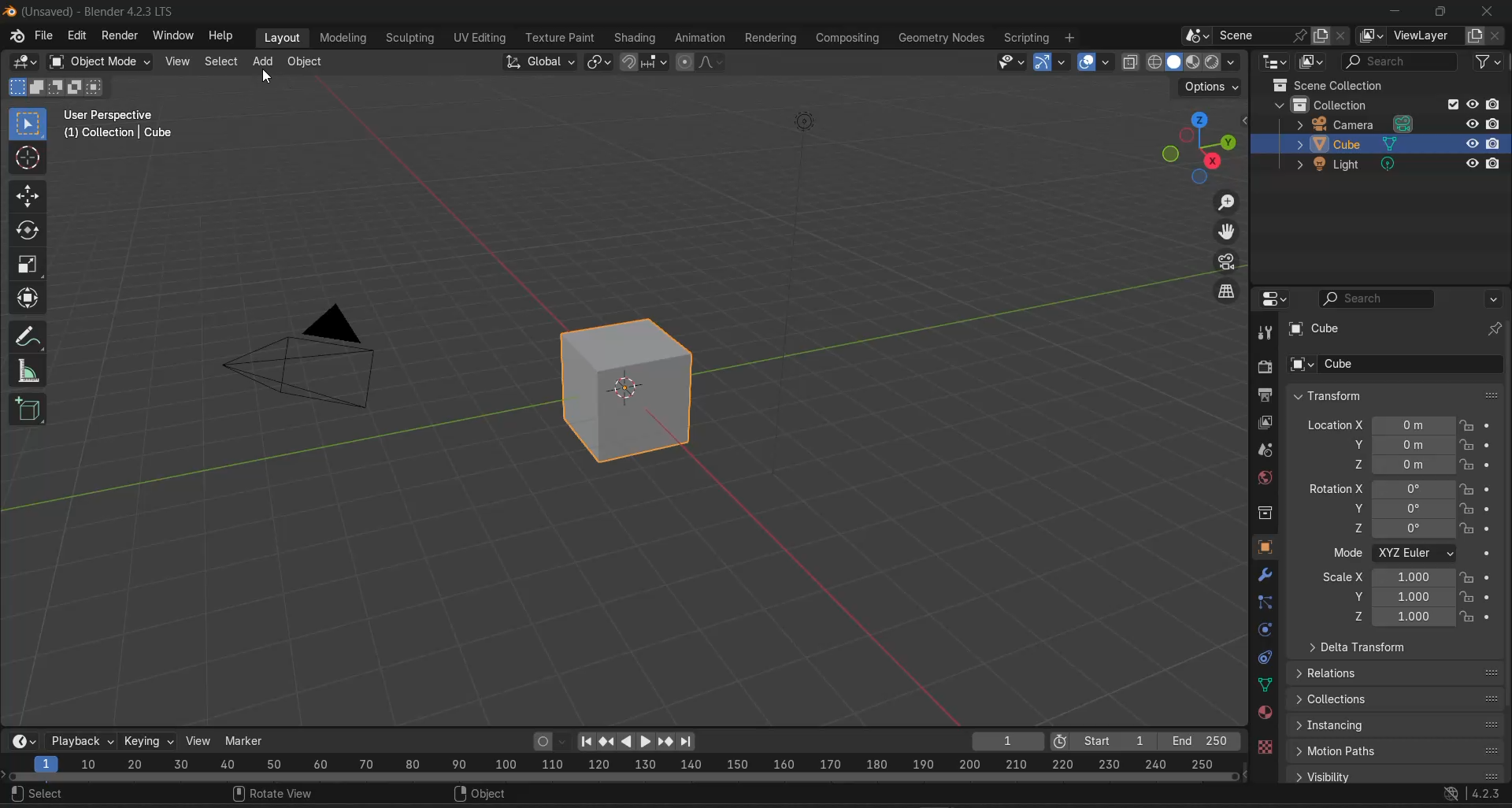 The height and width of the screenshot is (808, 1512). Describe the element at coordinates (19, 61) in the screenshot. I see `editor type` at that location.